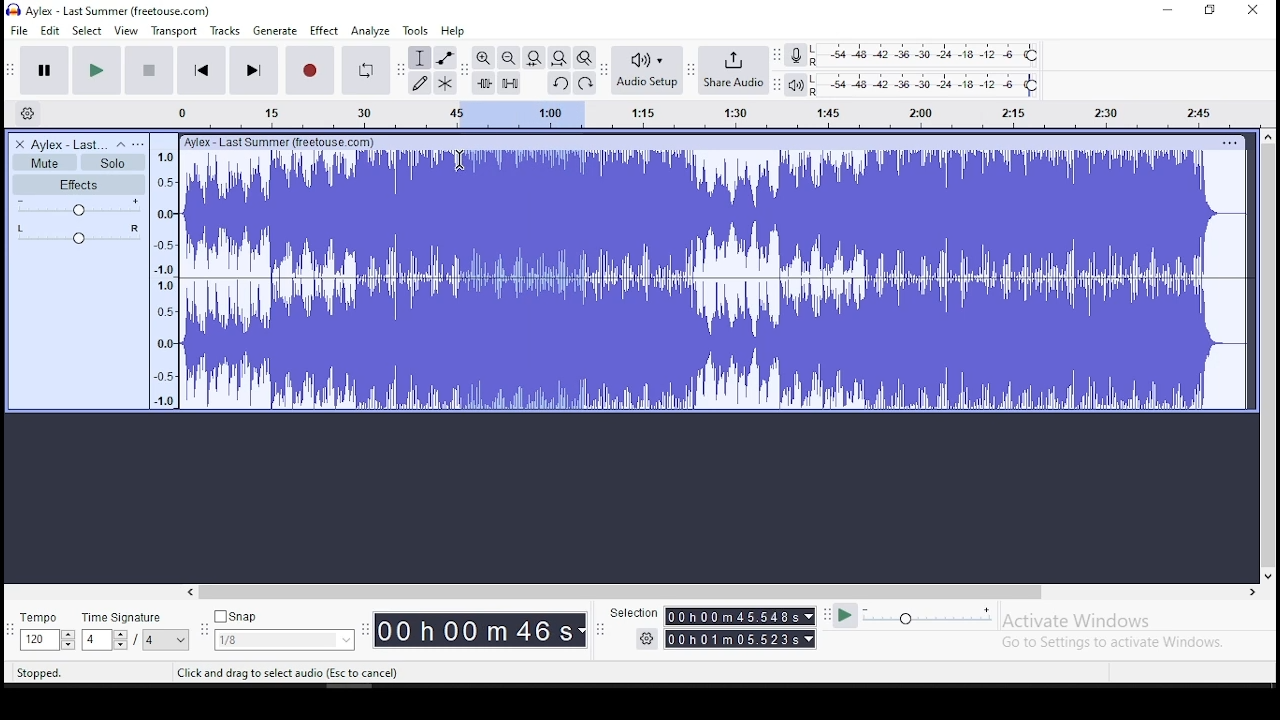  I want to click on zoom out, so click(507, 57).